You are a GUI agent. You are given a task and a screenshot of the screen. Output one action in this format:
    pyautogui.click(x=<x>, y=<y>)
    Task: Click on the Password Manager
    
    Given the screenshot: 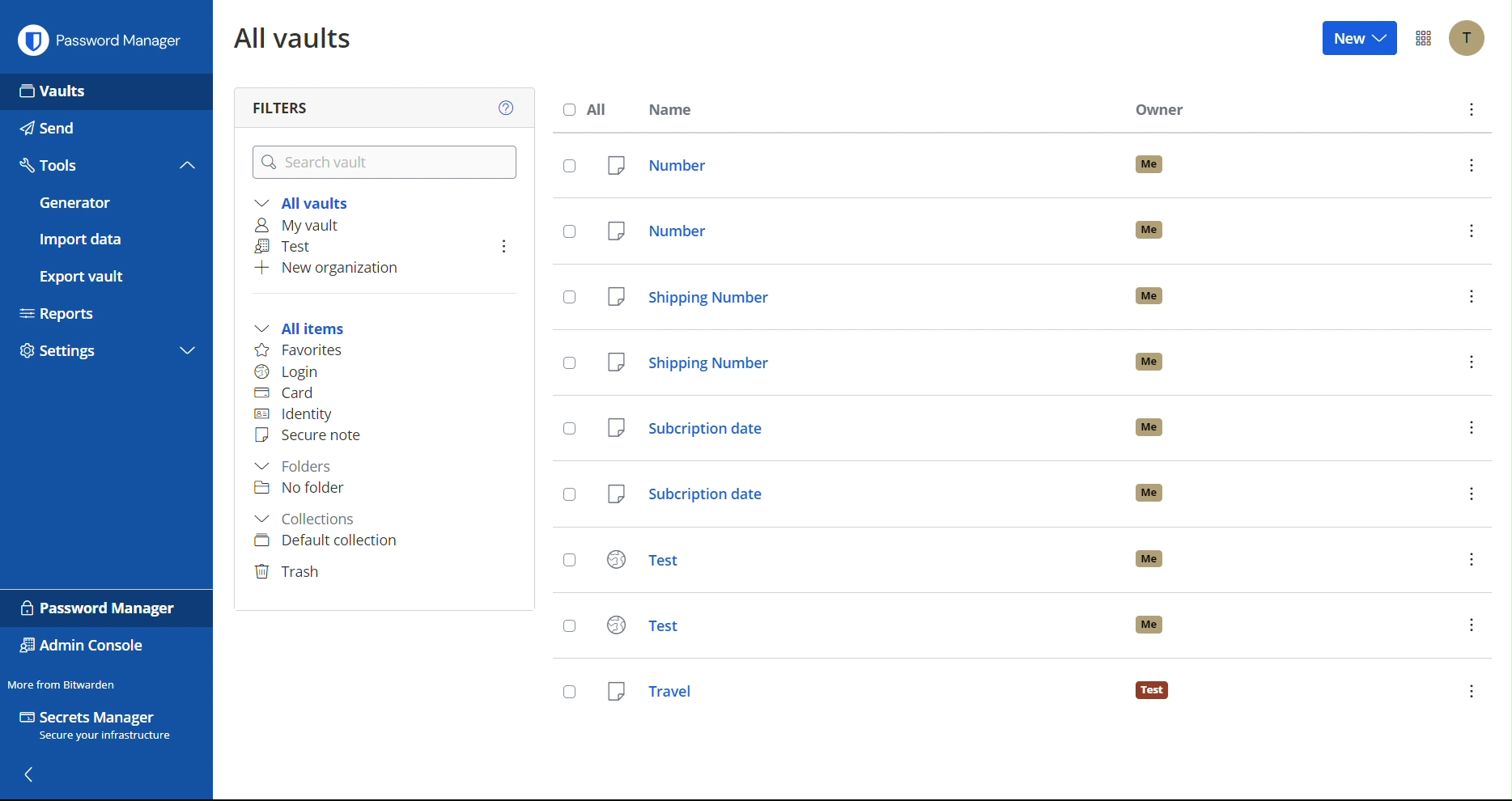 What is the action you would take?
    pyautogui.click(x=100, y=39)
    